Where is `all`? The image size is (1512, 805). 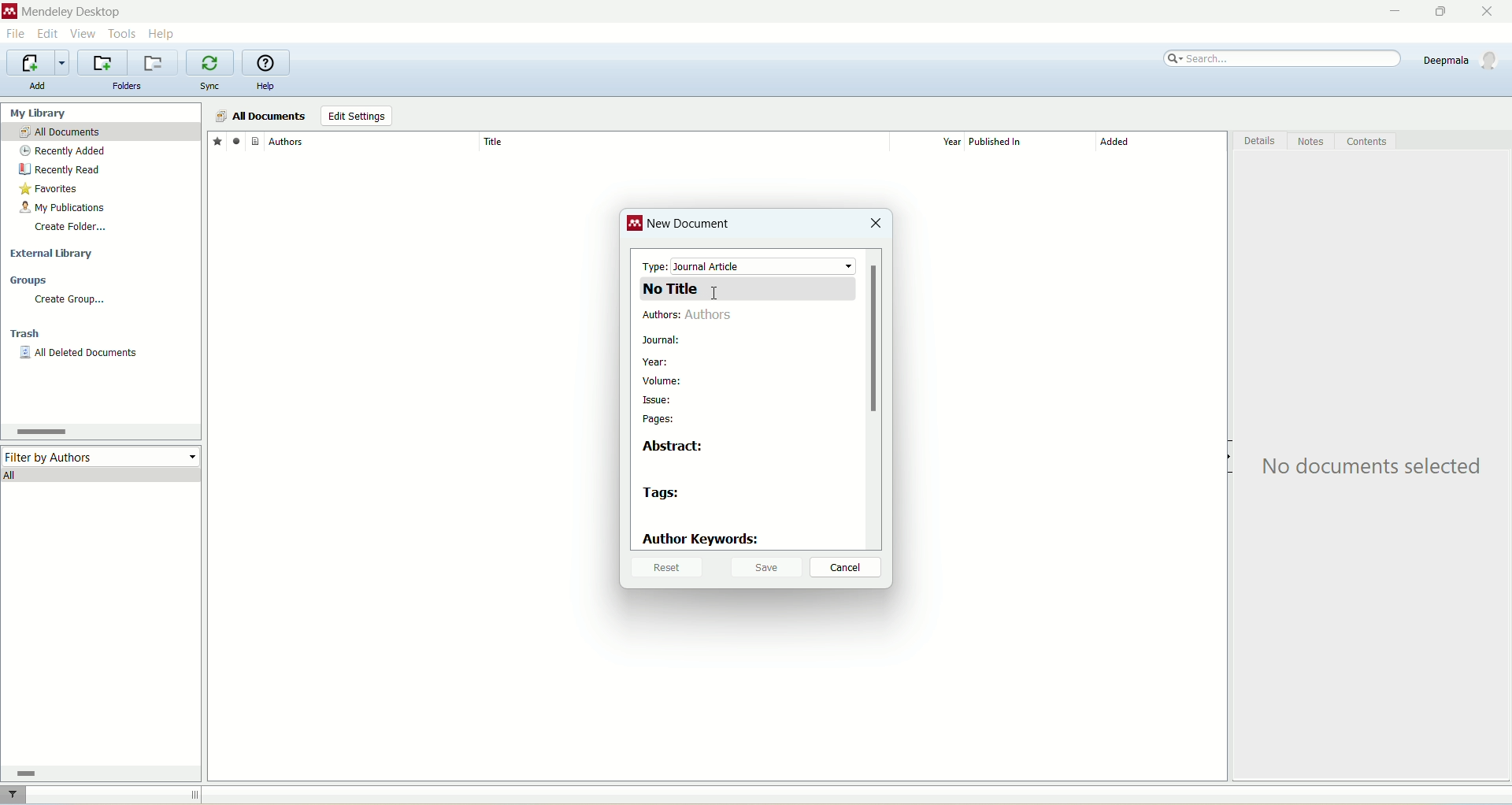 all is located at coordinates (102, 474).